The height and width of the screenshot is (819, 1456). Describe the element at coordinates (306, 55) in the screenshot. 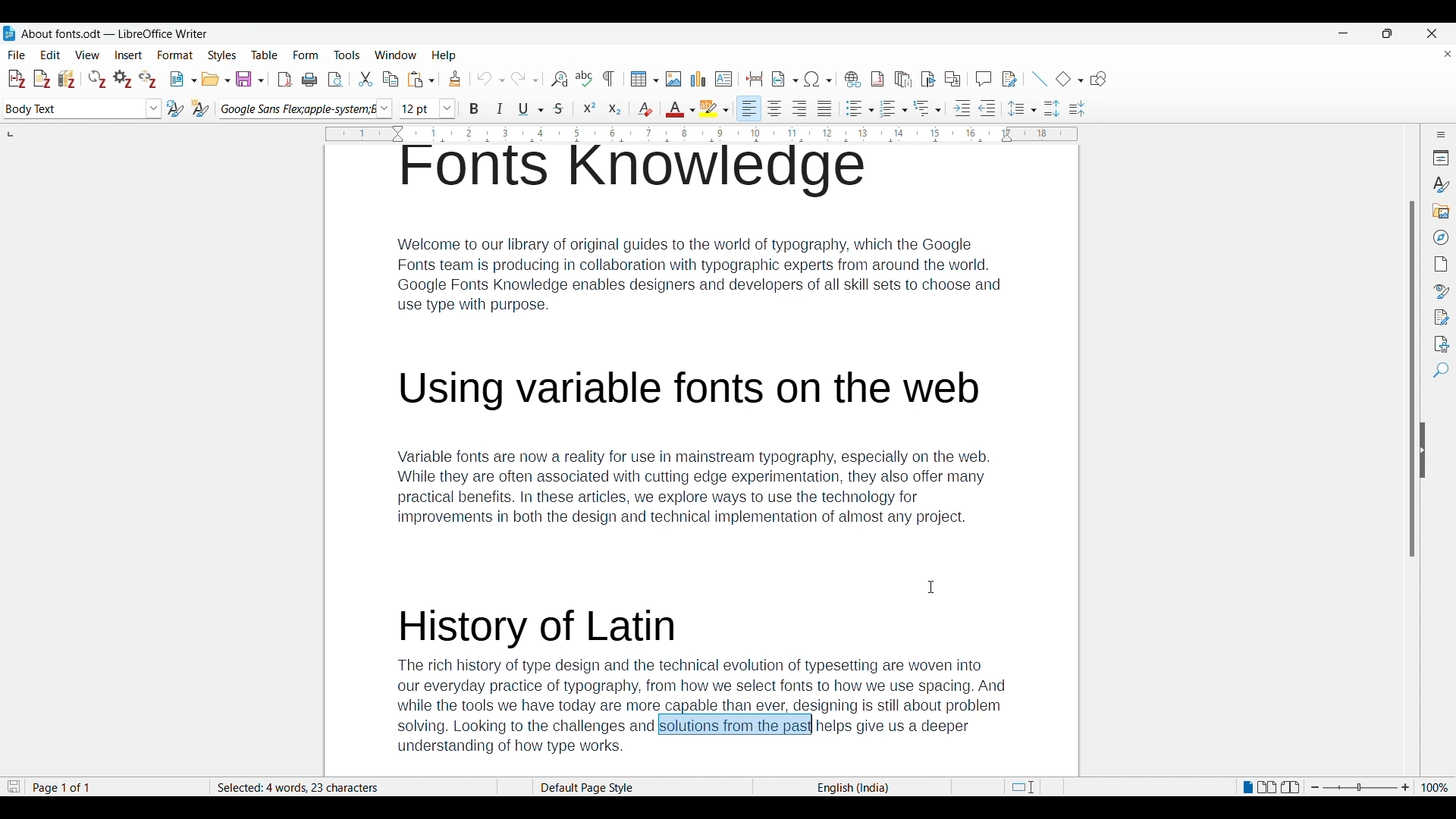

I see `Form menu` at that location.